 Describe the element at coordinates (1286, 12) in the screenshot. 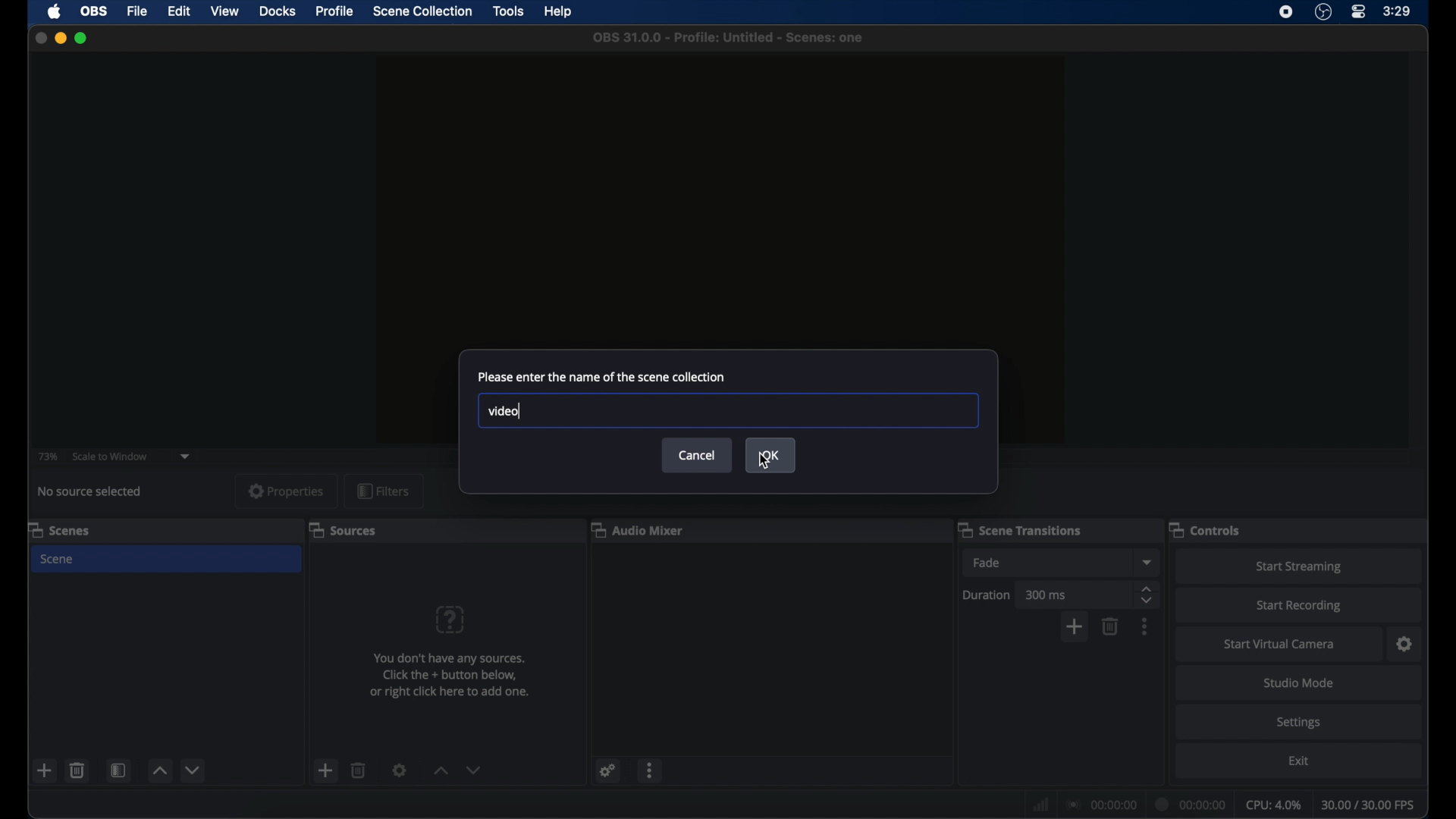

I see `screen recorder` at that location.